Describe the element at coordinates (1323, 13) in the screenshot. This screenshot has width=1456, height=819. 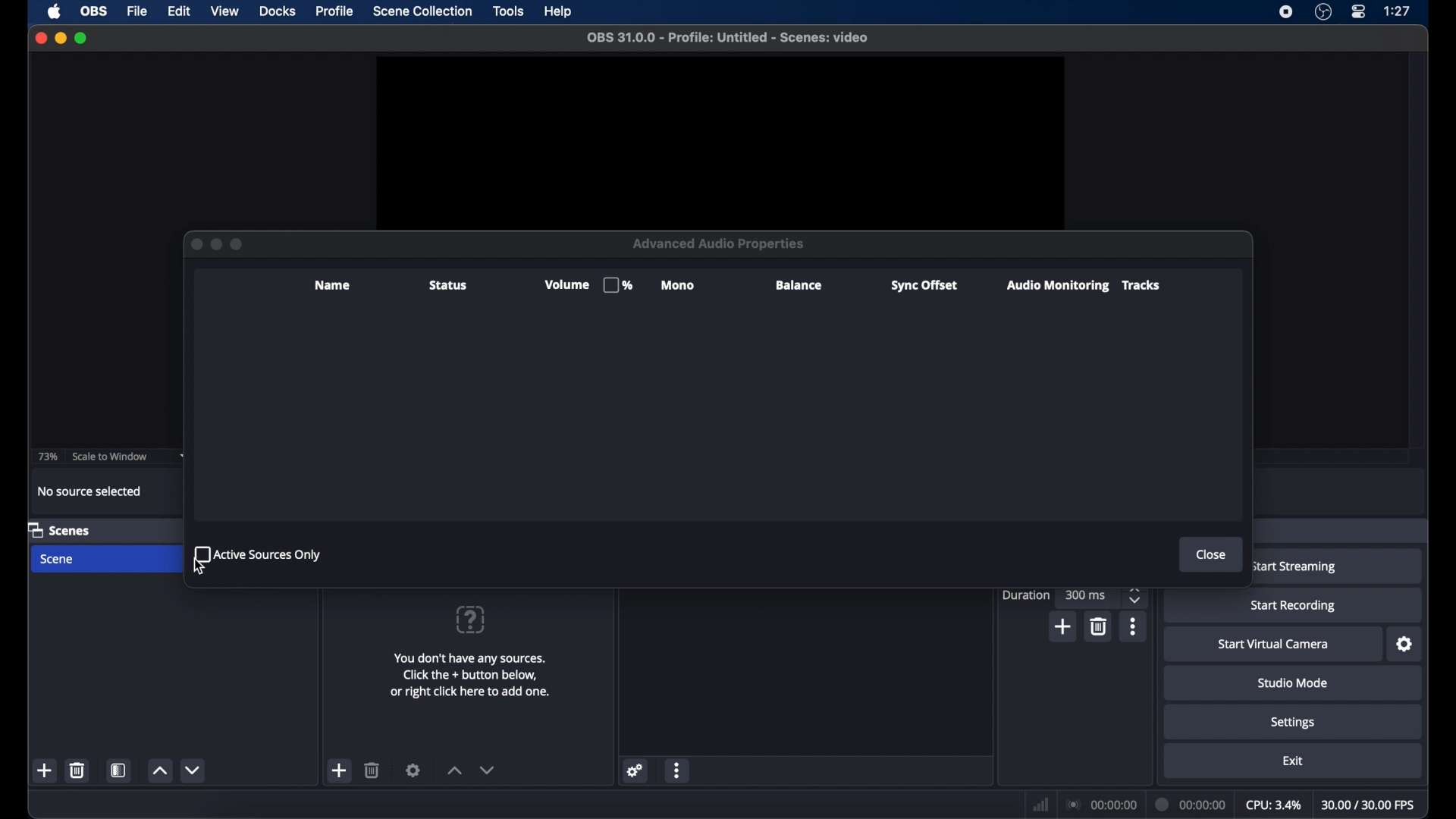
I see `obs studio` at that location.